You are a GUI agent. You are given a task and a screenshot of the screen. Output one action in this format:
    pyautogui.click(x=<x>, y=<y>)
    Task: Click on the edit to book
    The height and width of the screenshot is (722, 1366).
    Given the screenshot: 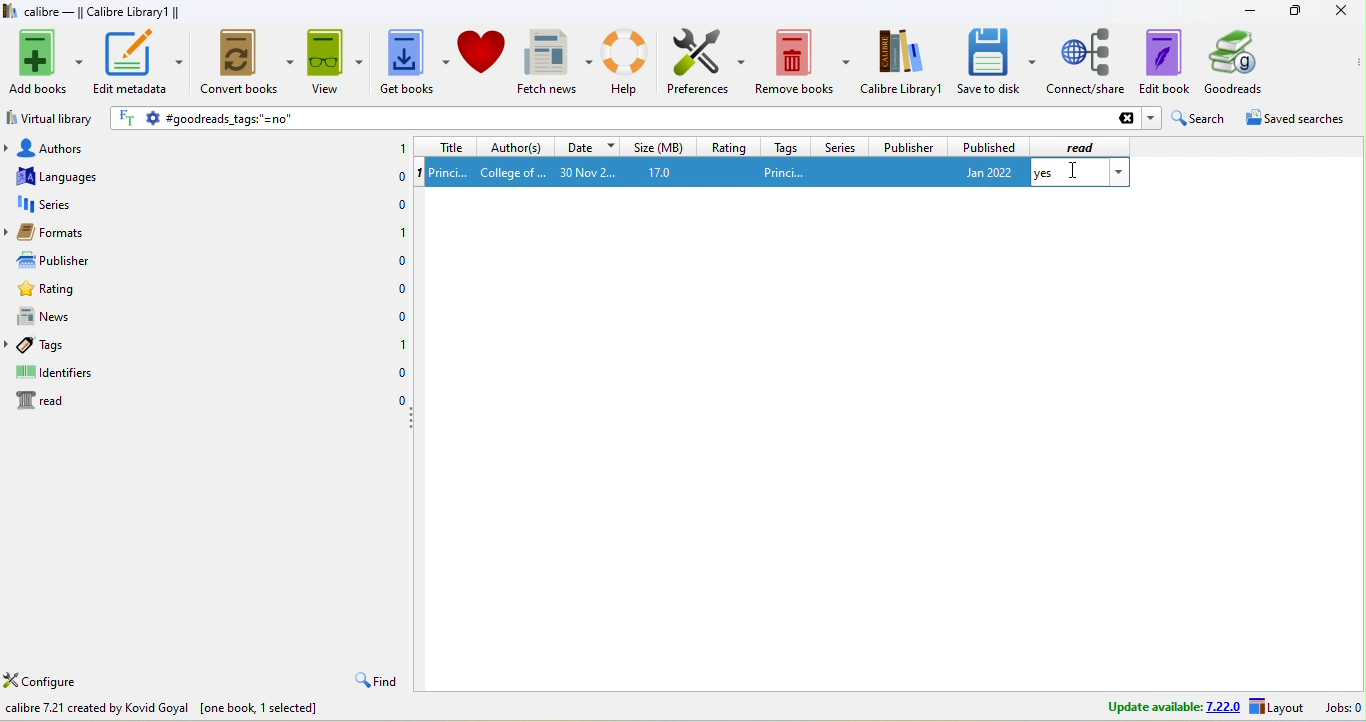 What is the action you would take?
    pyautogui.click(x=1164, y=62)
    